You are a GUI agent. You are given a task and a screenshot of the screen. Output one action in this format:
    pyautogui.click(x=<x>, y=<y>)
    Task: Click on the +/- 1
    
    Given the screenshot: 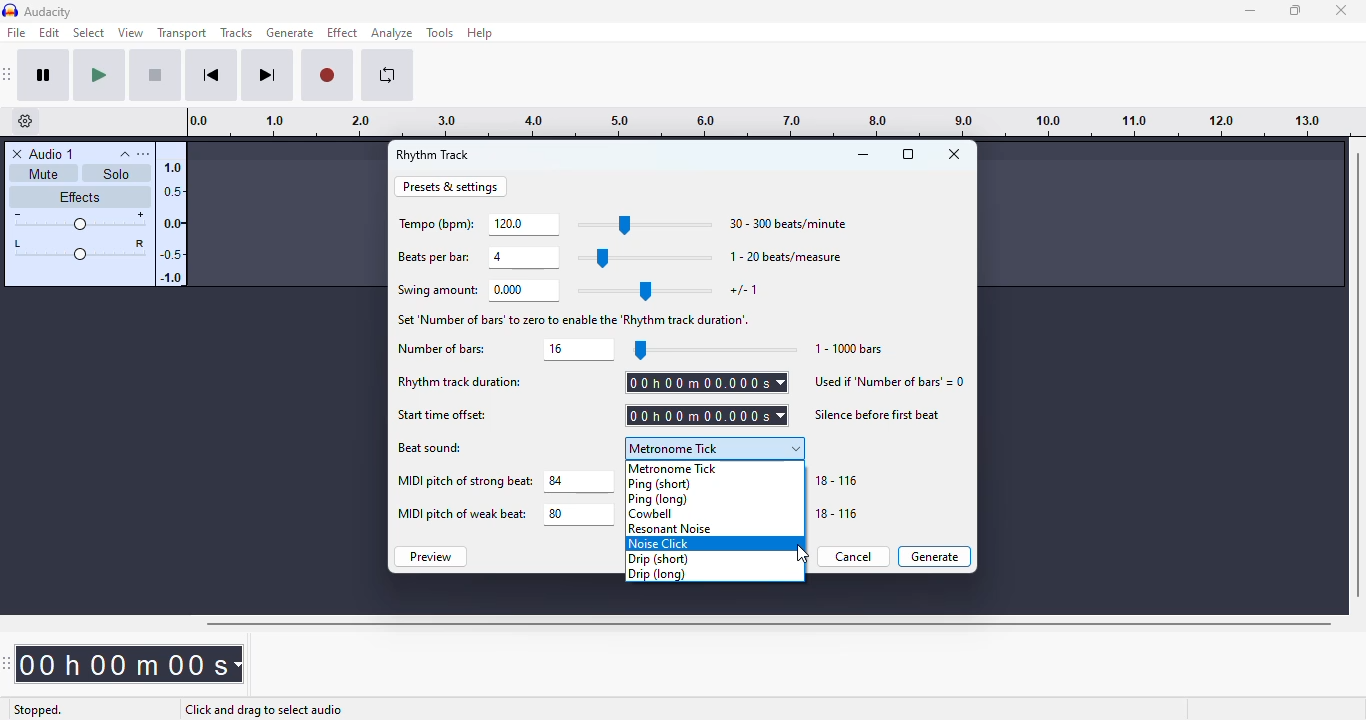 What is the action you would take?
    pyautogui.click(x=744, y=290)
    